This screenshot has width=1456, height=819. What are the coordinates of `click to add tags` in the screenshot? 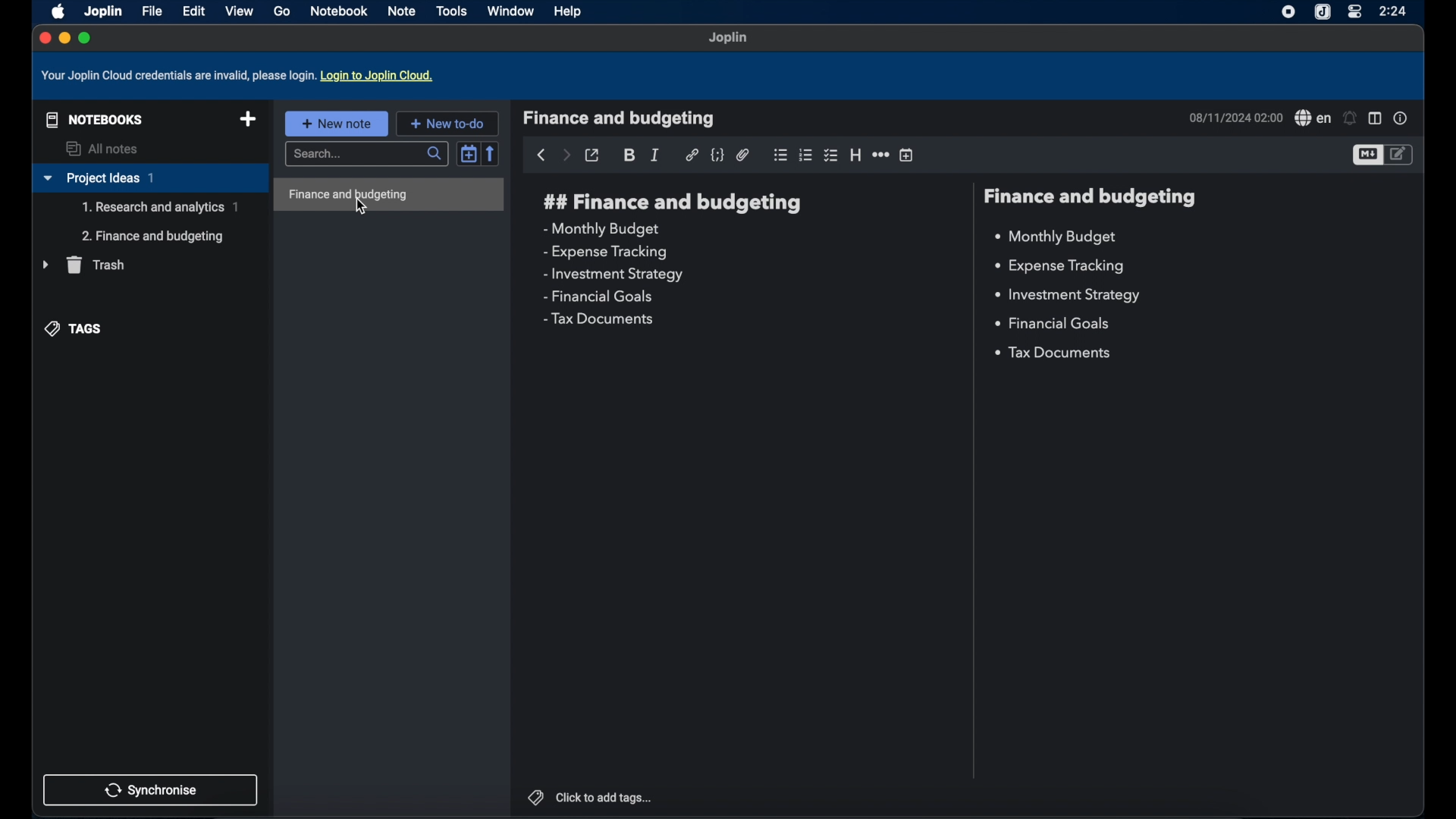 It's located at (589, 796).